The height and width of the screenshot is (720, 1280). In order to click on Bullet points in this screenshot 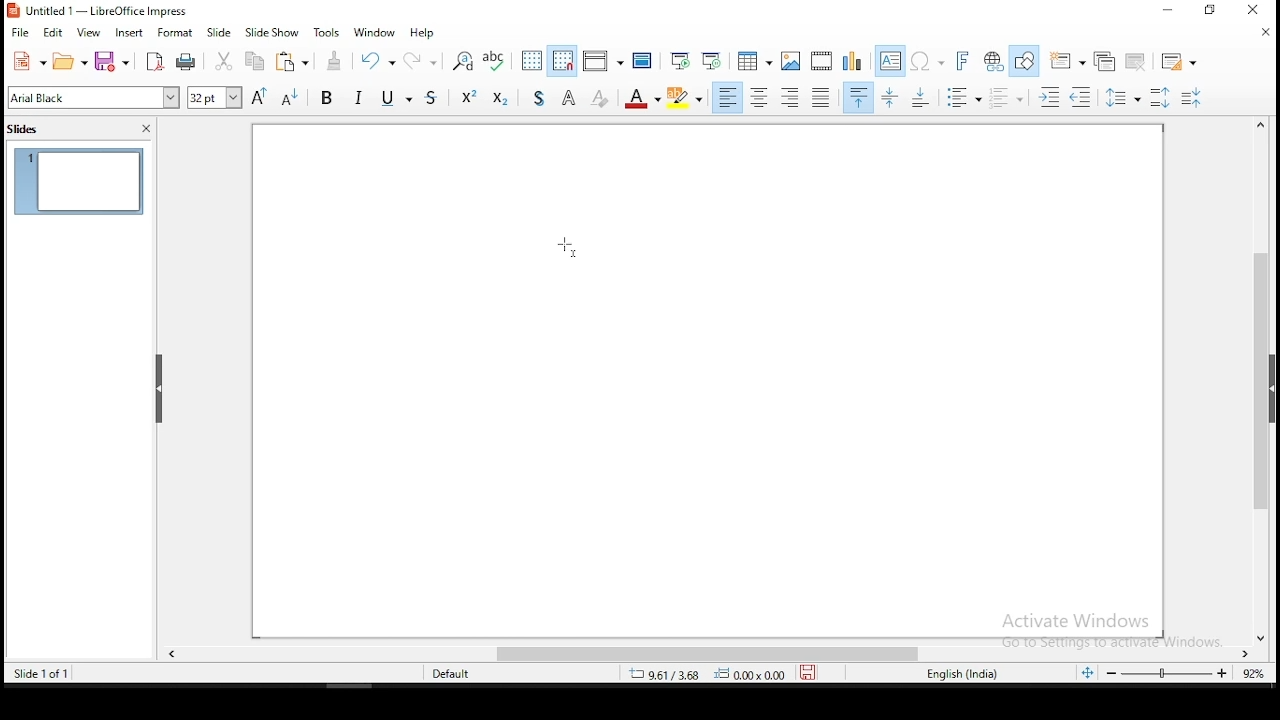, I will do `click(963, 98)`.